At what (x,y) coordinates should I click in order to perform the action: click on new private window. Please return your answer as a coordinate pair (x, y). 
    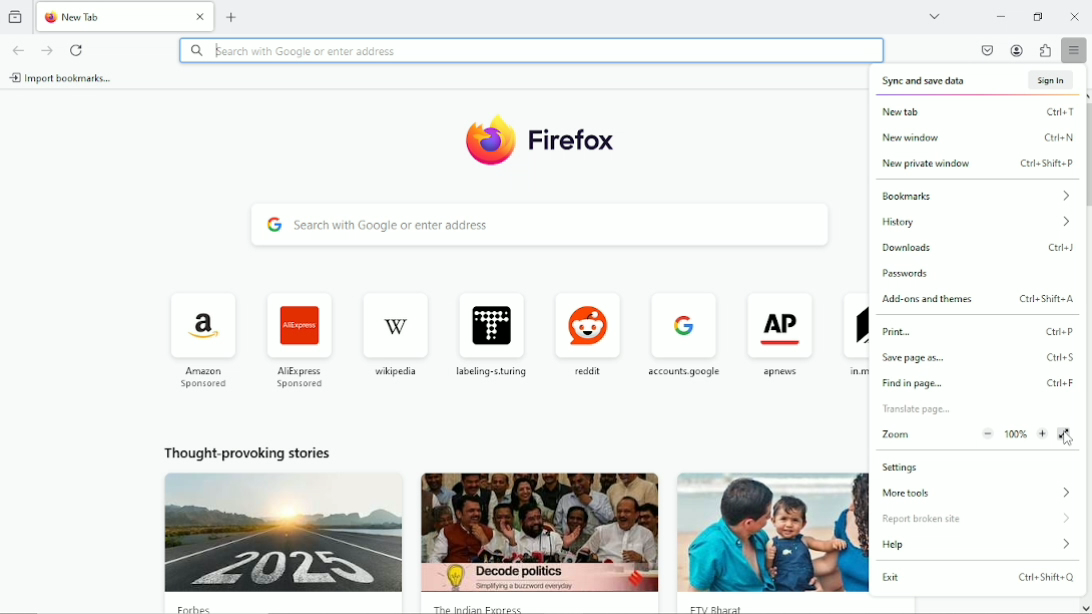
    Looking at the image, I should click on (978, 165).